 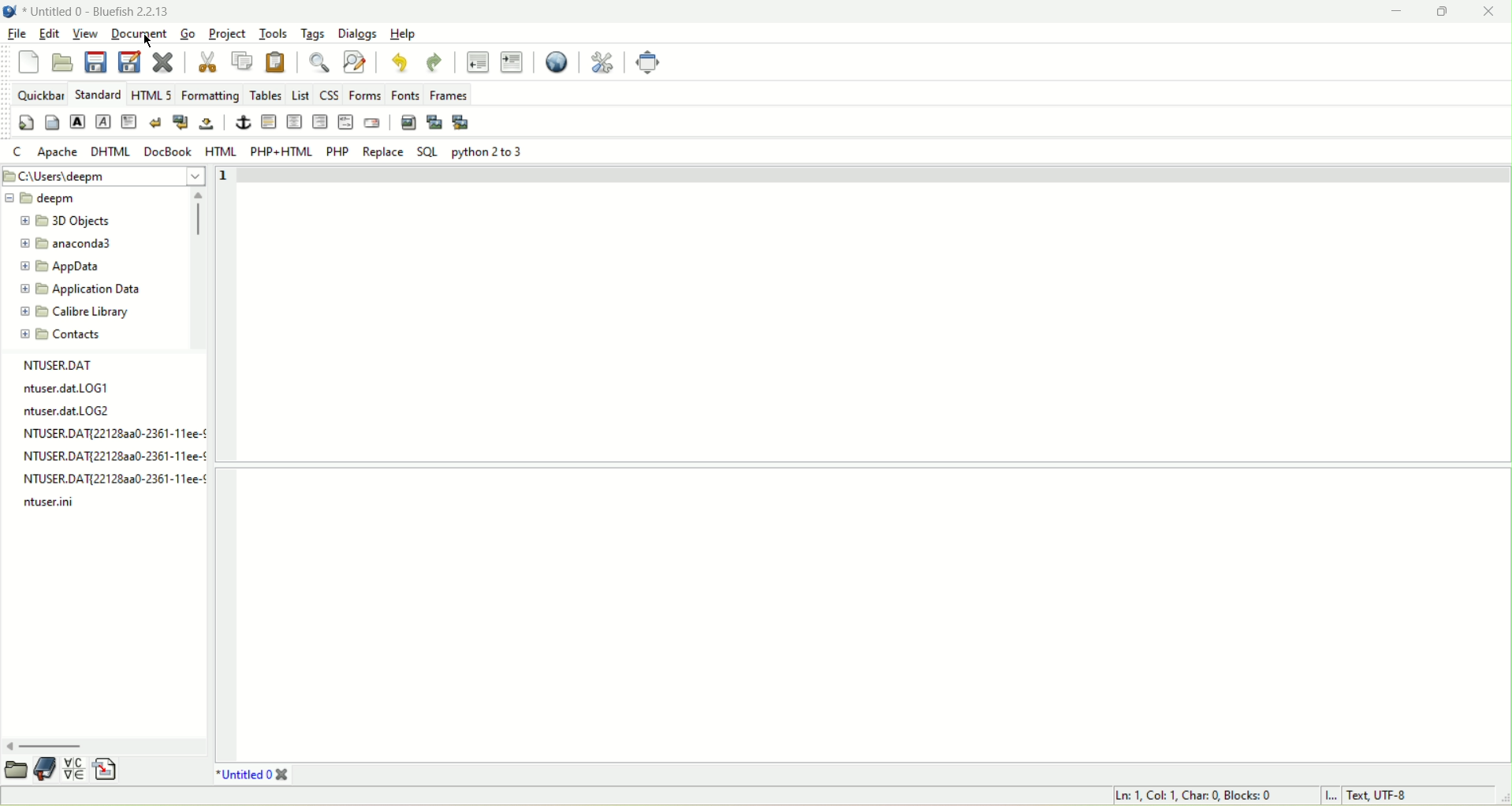 I want to click on view in browser, so click(x=558, y=62).